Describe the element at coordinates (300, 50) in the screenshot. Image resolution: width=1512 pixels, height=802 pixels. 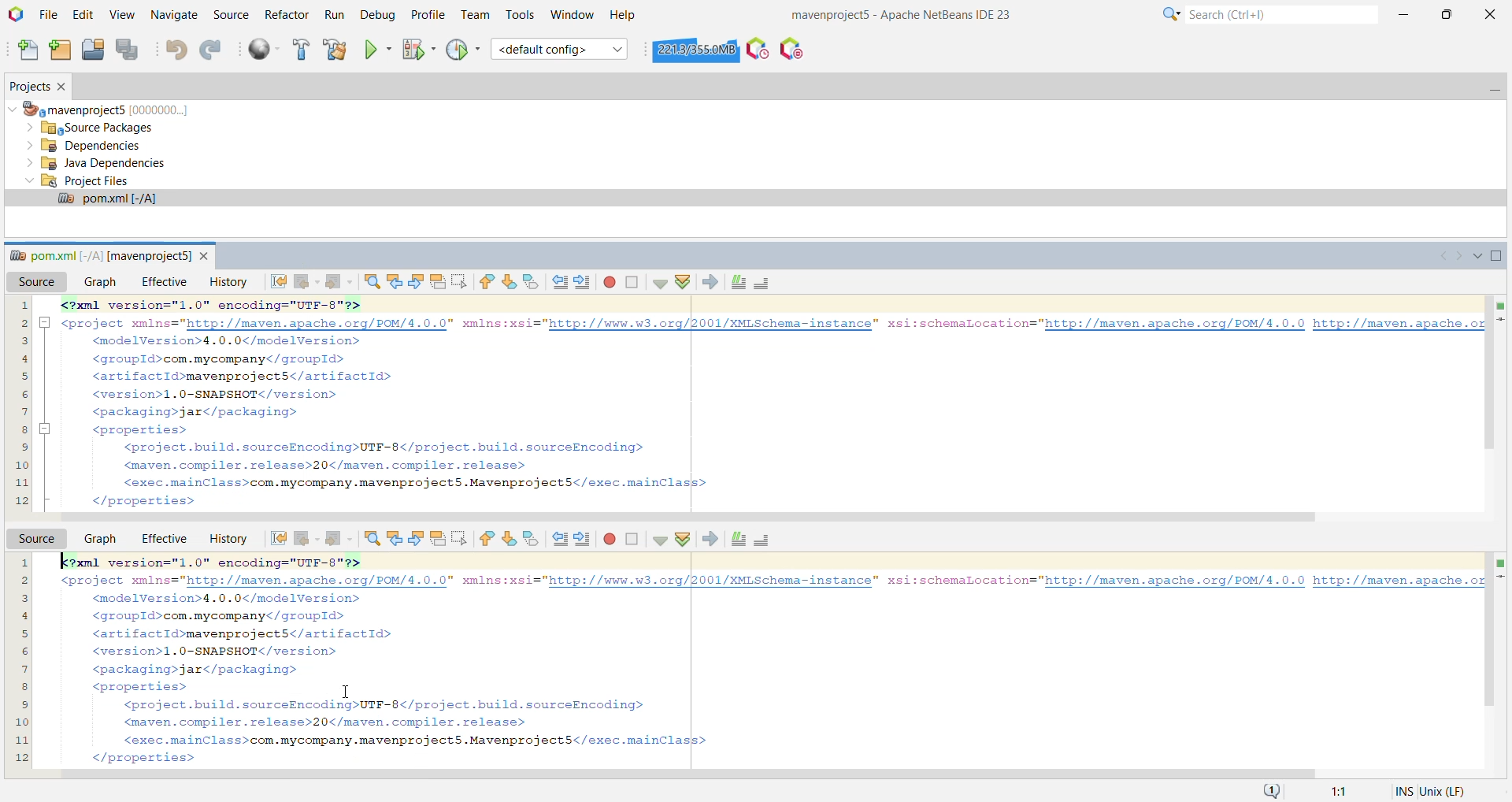
I see `Build Project` at that location.